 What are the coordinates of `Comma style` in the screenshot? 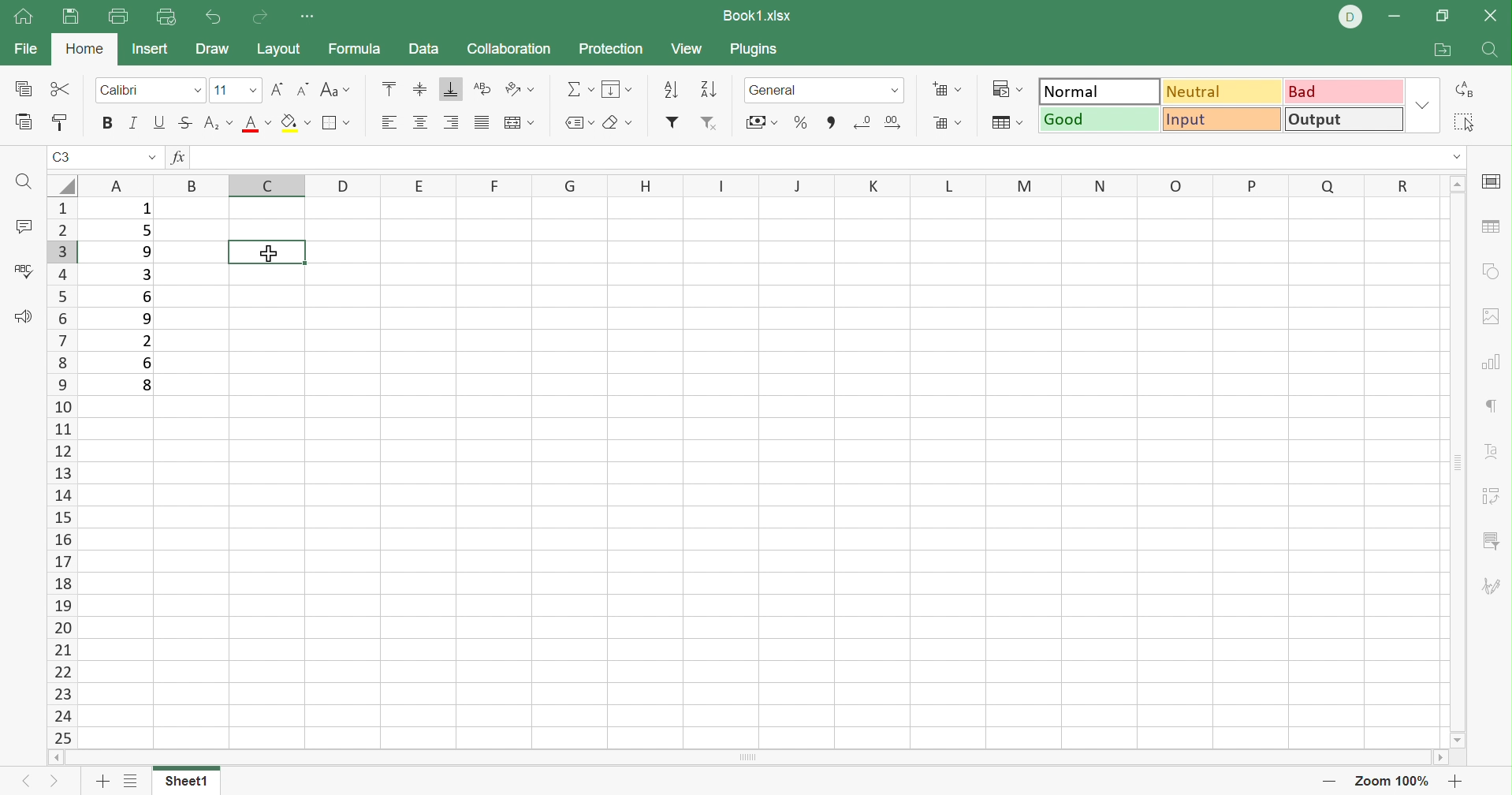 It's located at (831, 121).